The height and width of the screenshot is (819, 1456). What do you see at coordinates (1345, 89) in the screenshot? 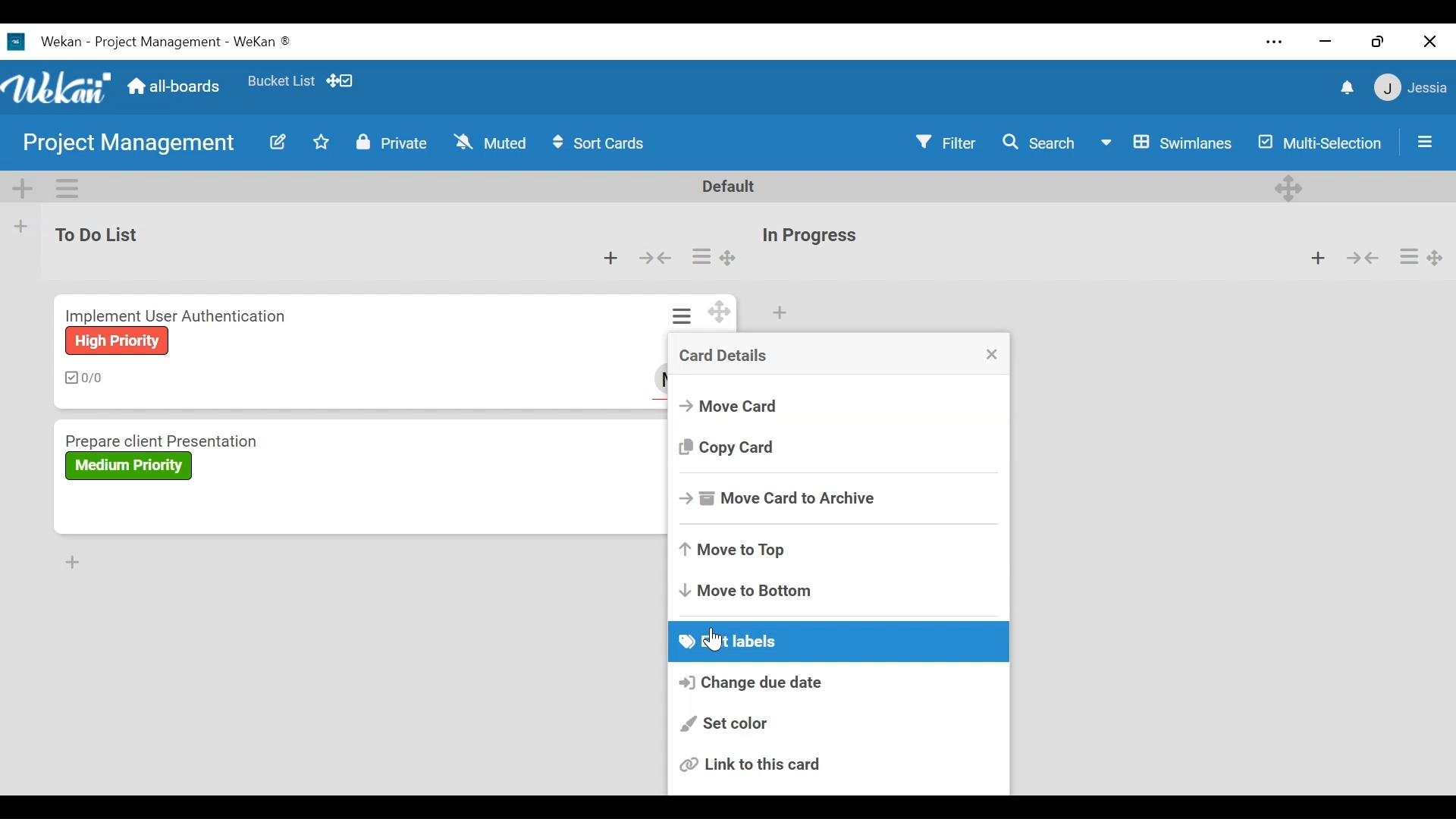
I see `notifications` at bounding box center [1345, 89].